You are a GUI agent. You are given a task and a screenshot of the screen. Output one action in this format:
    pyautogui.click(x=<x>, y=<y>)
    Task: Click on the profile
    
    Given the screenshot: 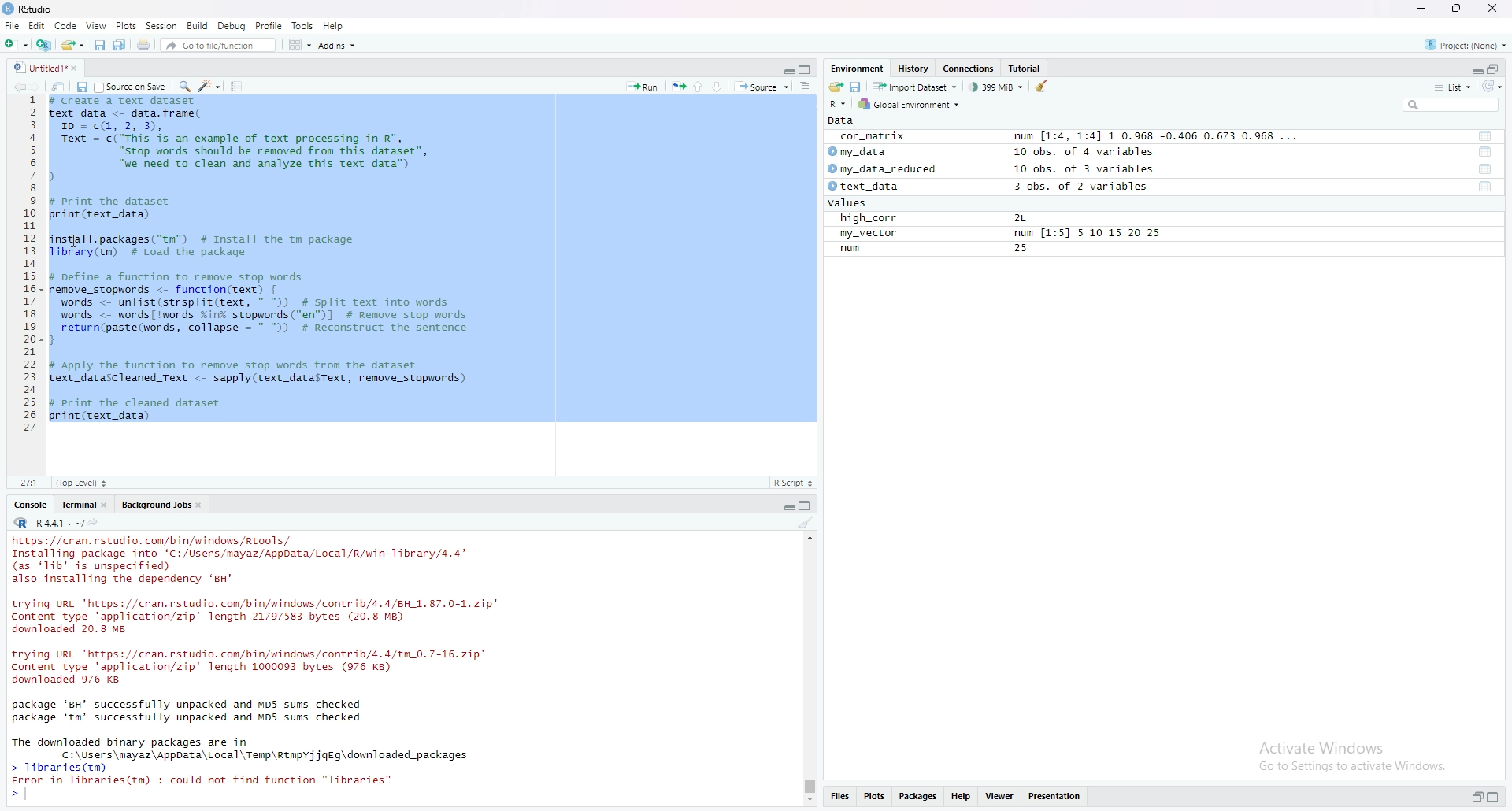 What is the action you would take?
    pyautogui.click(x=271, y=25)
    